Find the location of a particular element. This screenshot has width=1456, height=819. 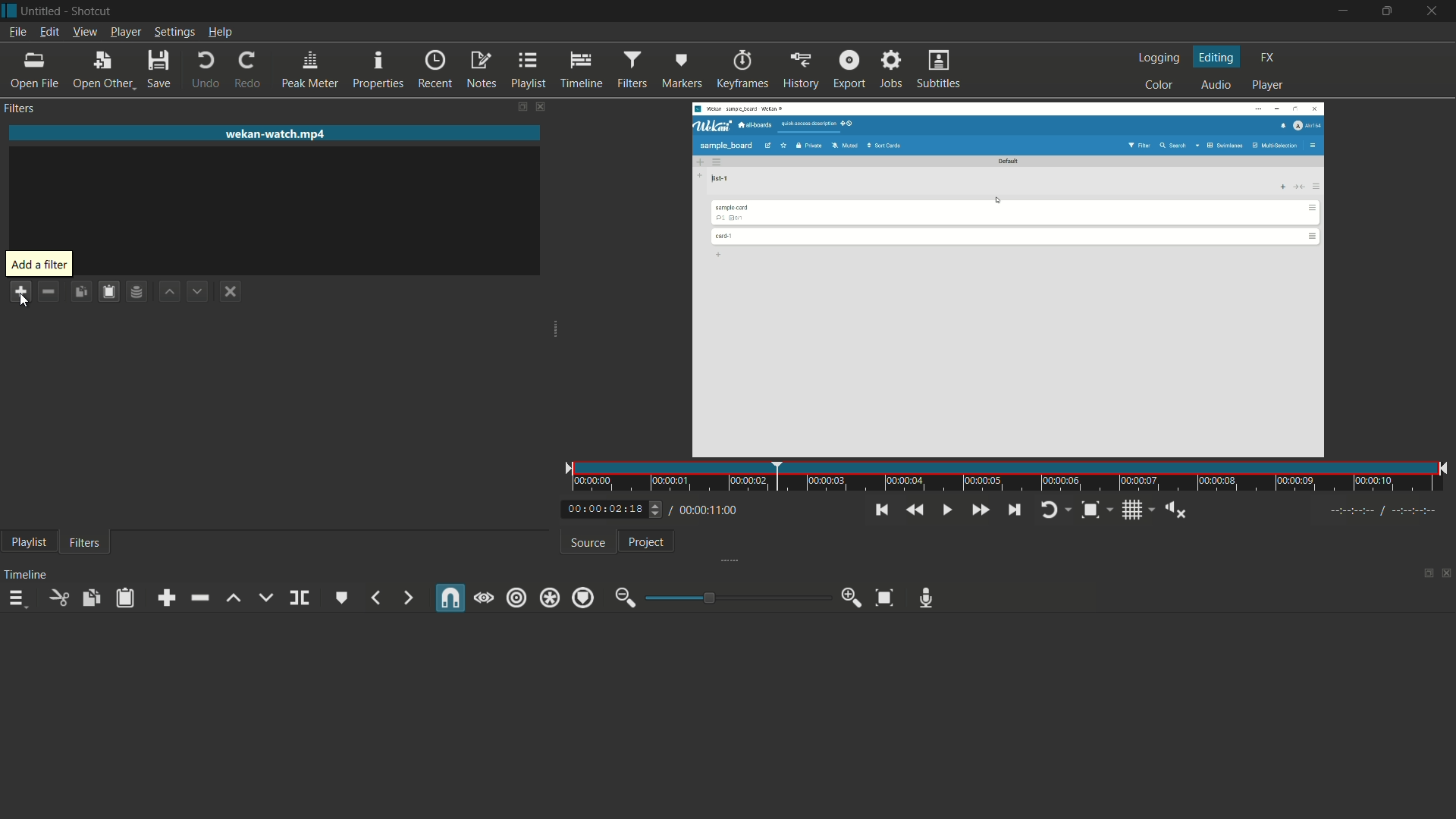

skip to the previous point is located at coordinates (883, 510).